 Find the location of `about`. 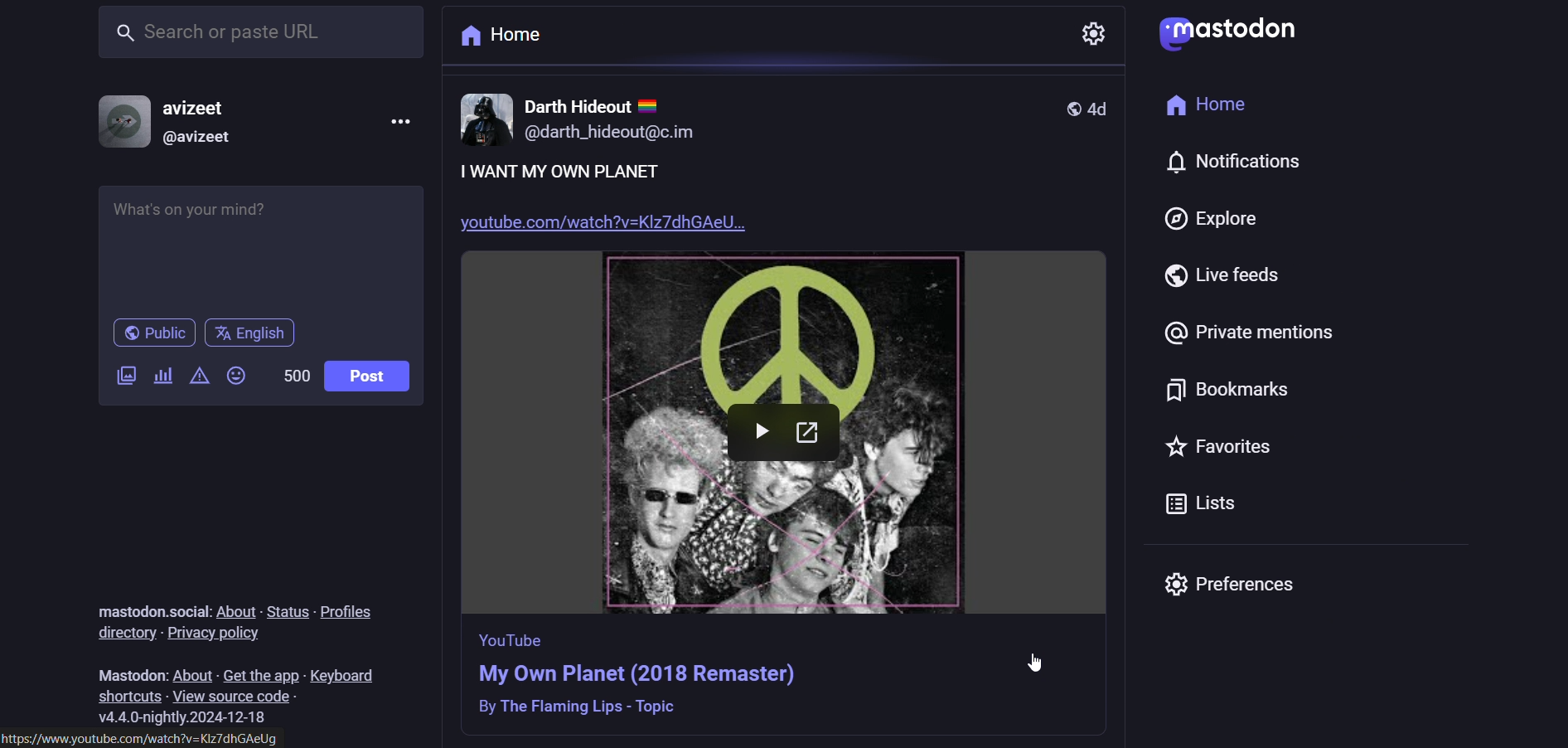

about is located at coordinates (190, 668).